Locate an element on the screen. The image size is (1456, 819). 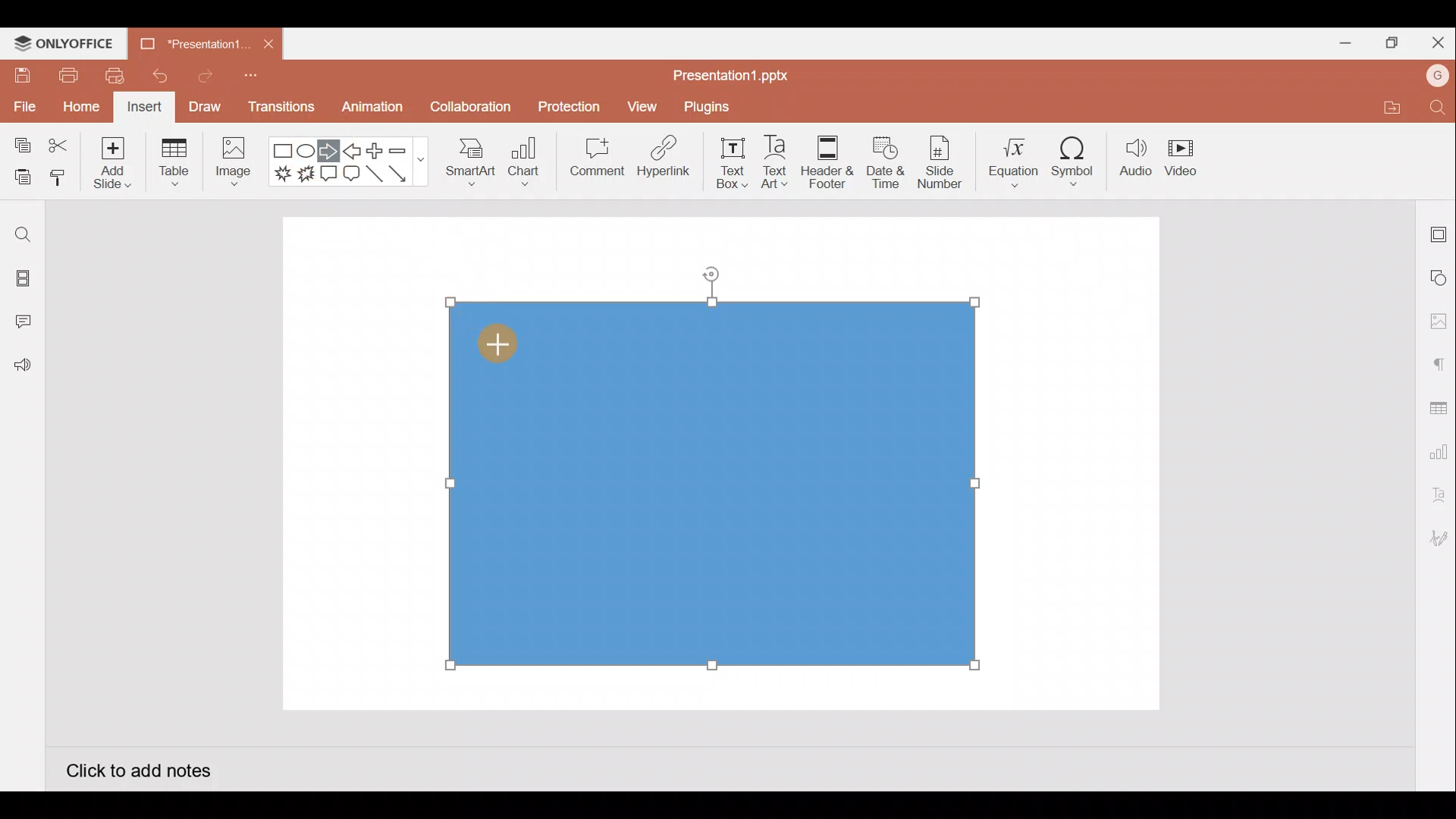
Animation is located at coordinates (374, 111).